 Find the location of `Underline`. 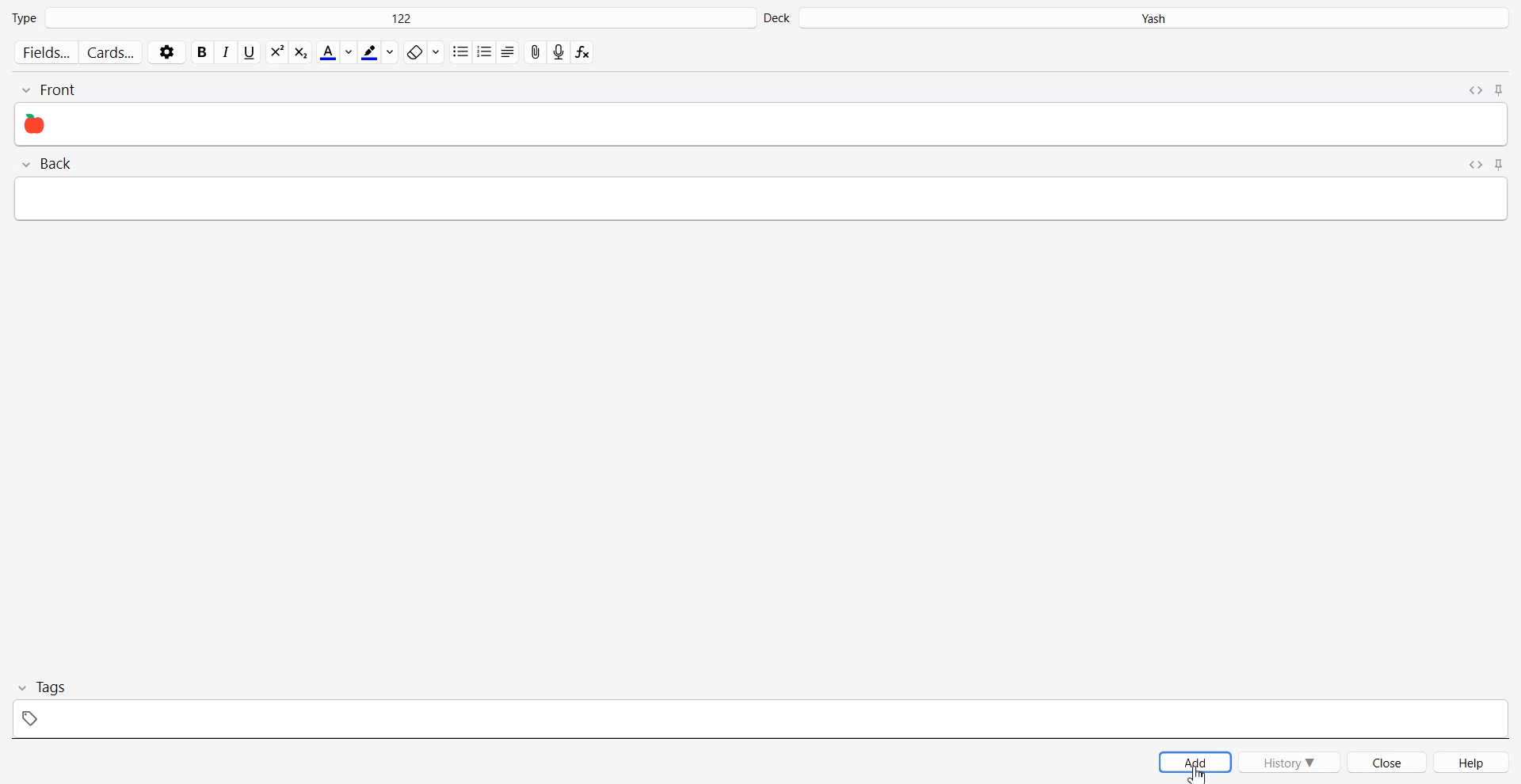

Underline is located at coordinates (250, 52).